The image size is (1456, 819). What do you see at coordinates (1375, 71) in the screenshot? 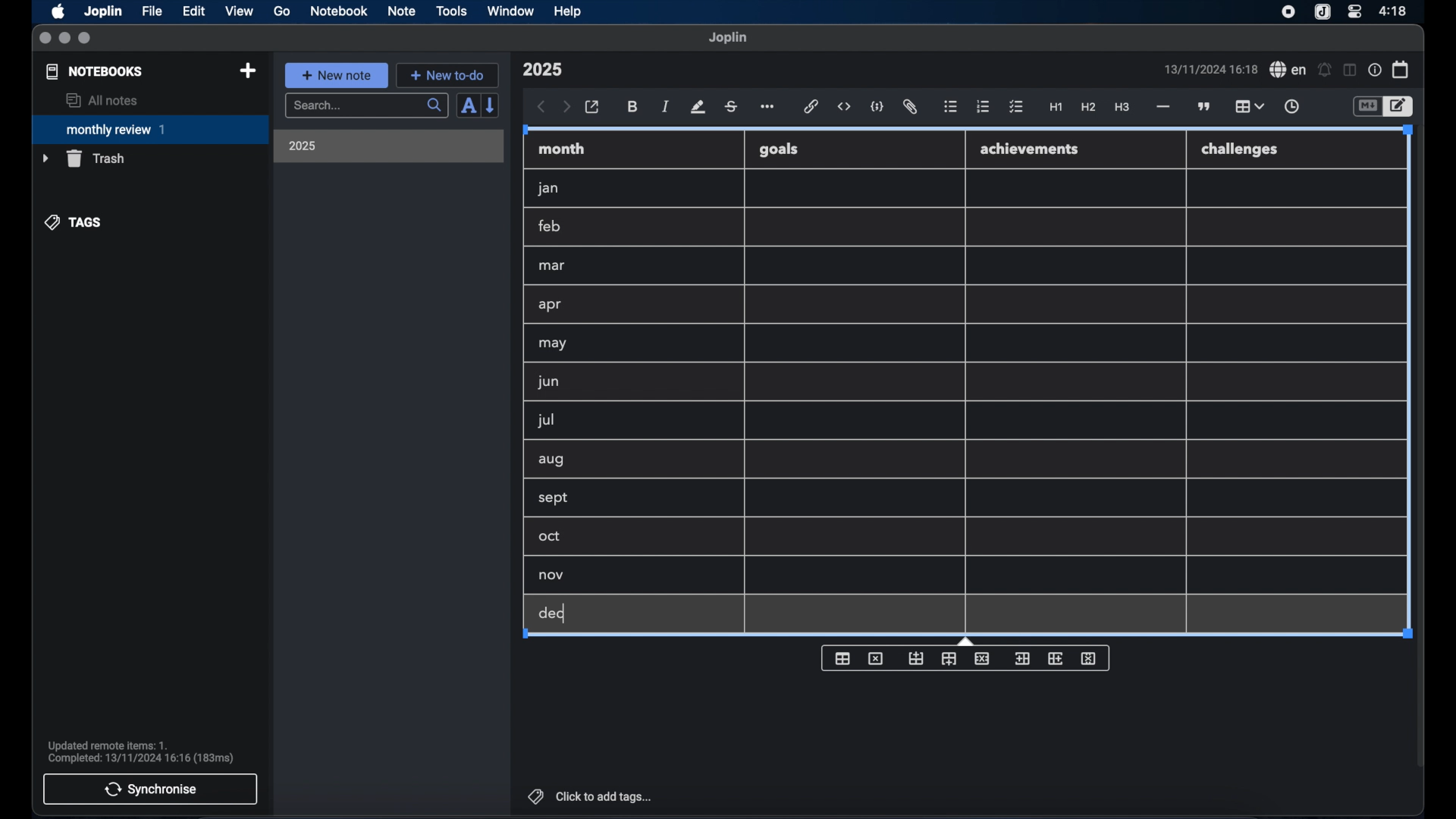
I see `note properties` at bounding box center [1375, 71].